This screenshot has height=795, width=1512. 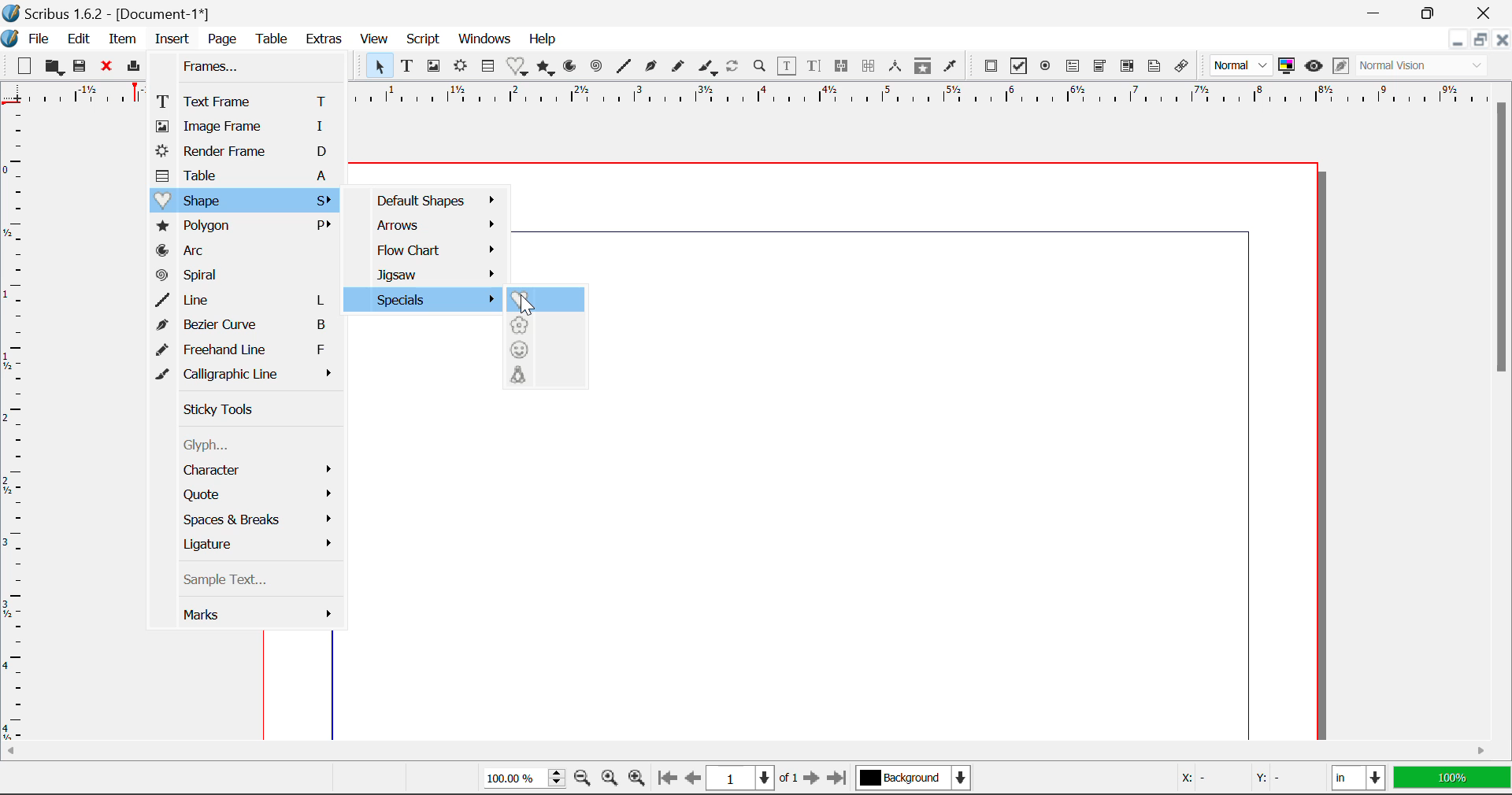 I want to click on Text Frames, so click(x=408, y=67).